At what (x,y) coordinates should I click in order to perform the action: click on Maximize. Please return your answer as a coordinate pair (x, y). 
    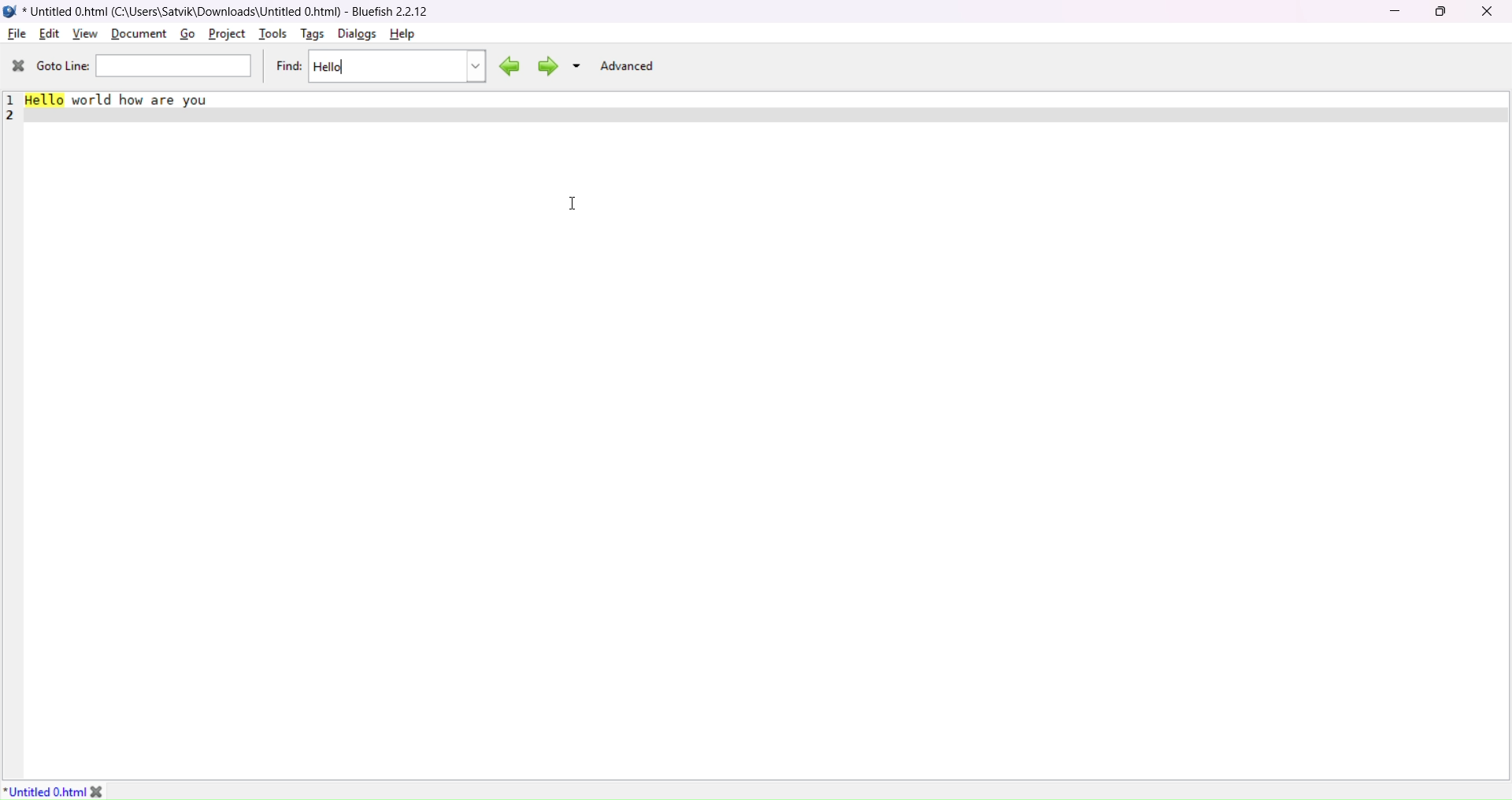
    Looking at the image, I should click on (1442, 13).